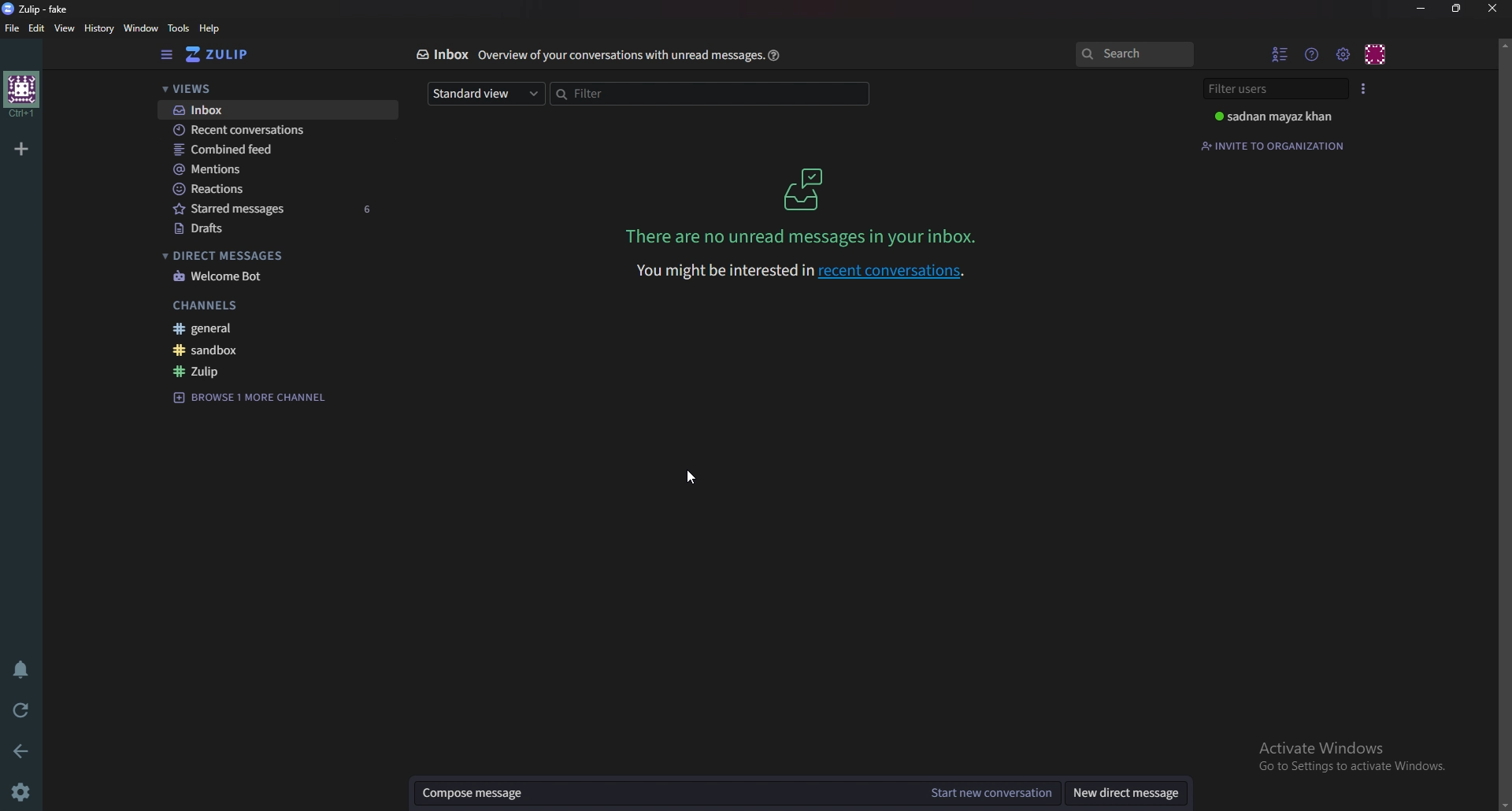 The image size is (1512, 811). Describe the element at coordinates (1422, 7) in the screenshot. I see `Minimize` at that location.